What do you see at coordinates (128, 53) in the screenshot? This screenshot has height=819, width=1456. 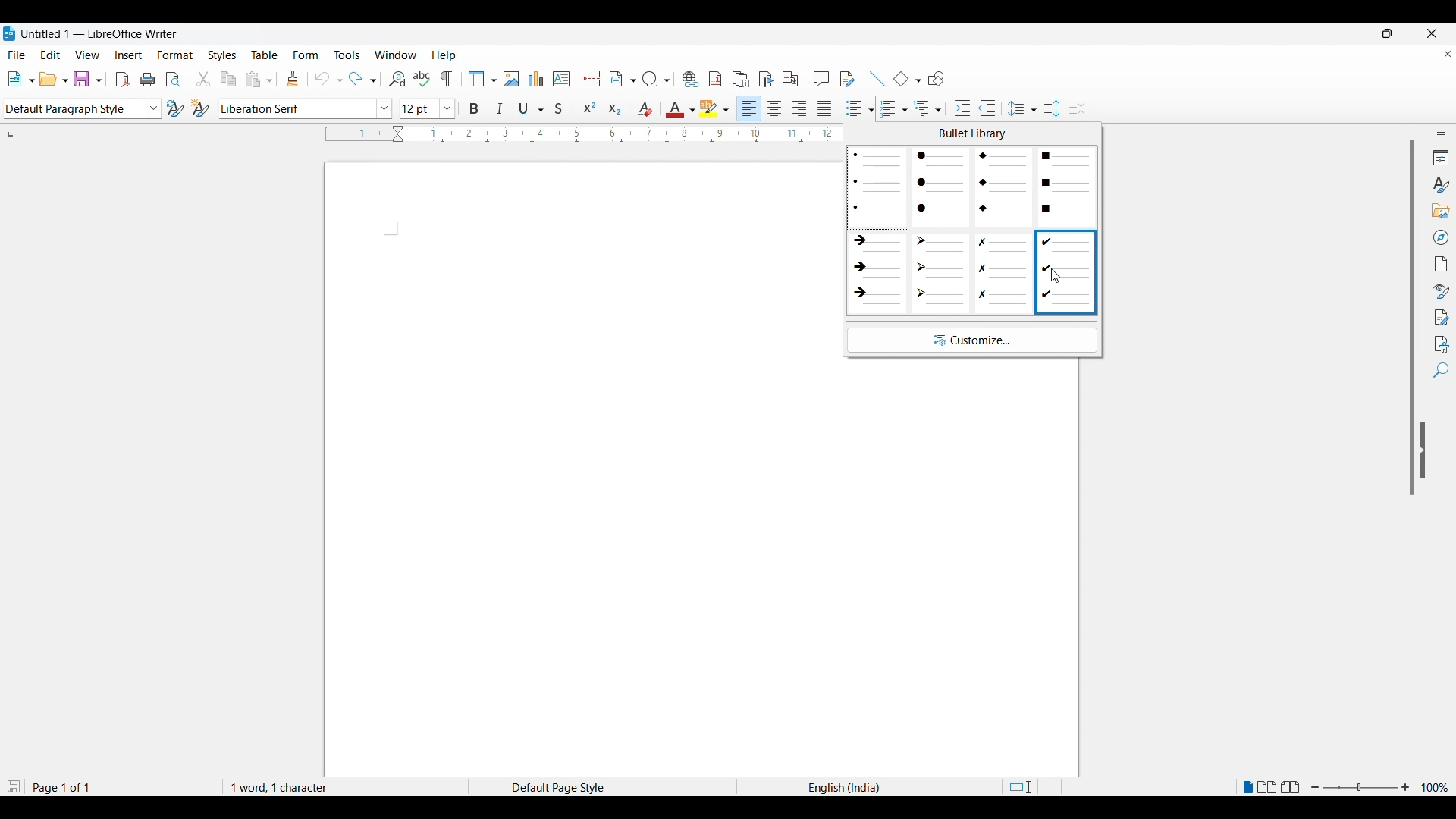 I see `Insert` at bounding box center [128, 53].